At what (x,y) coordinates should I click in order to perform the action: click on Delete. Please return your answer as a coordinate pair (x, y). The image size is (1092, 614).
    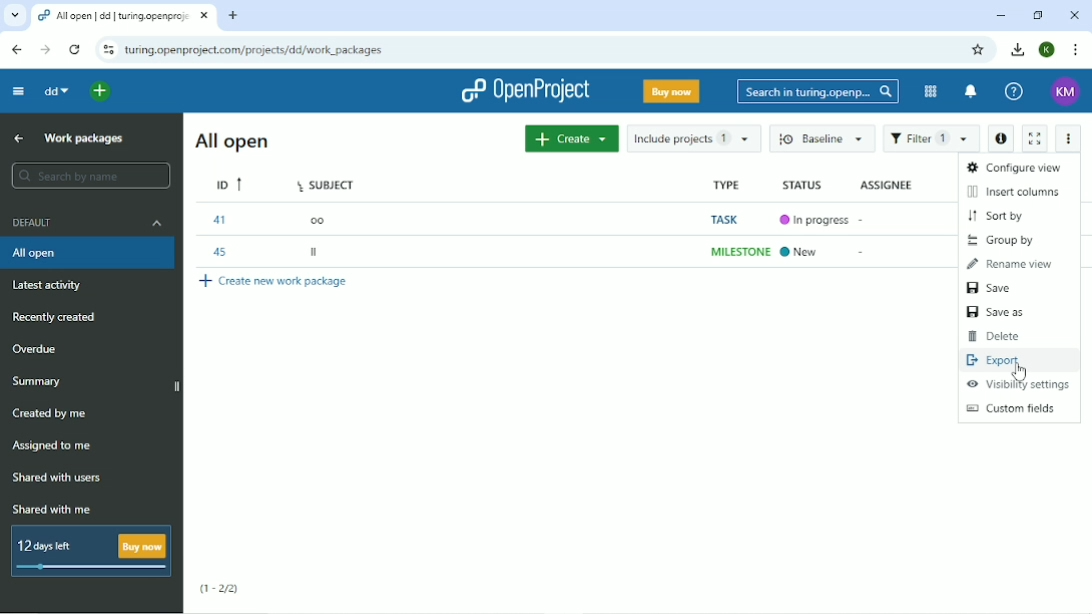
    Looking at the image, I should click on (995, 336).